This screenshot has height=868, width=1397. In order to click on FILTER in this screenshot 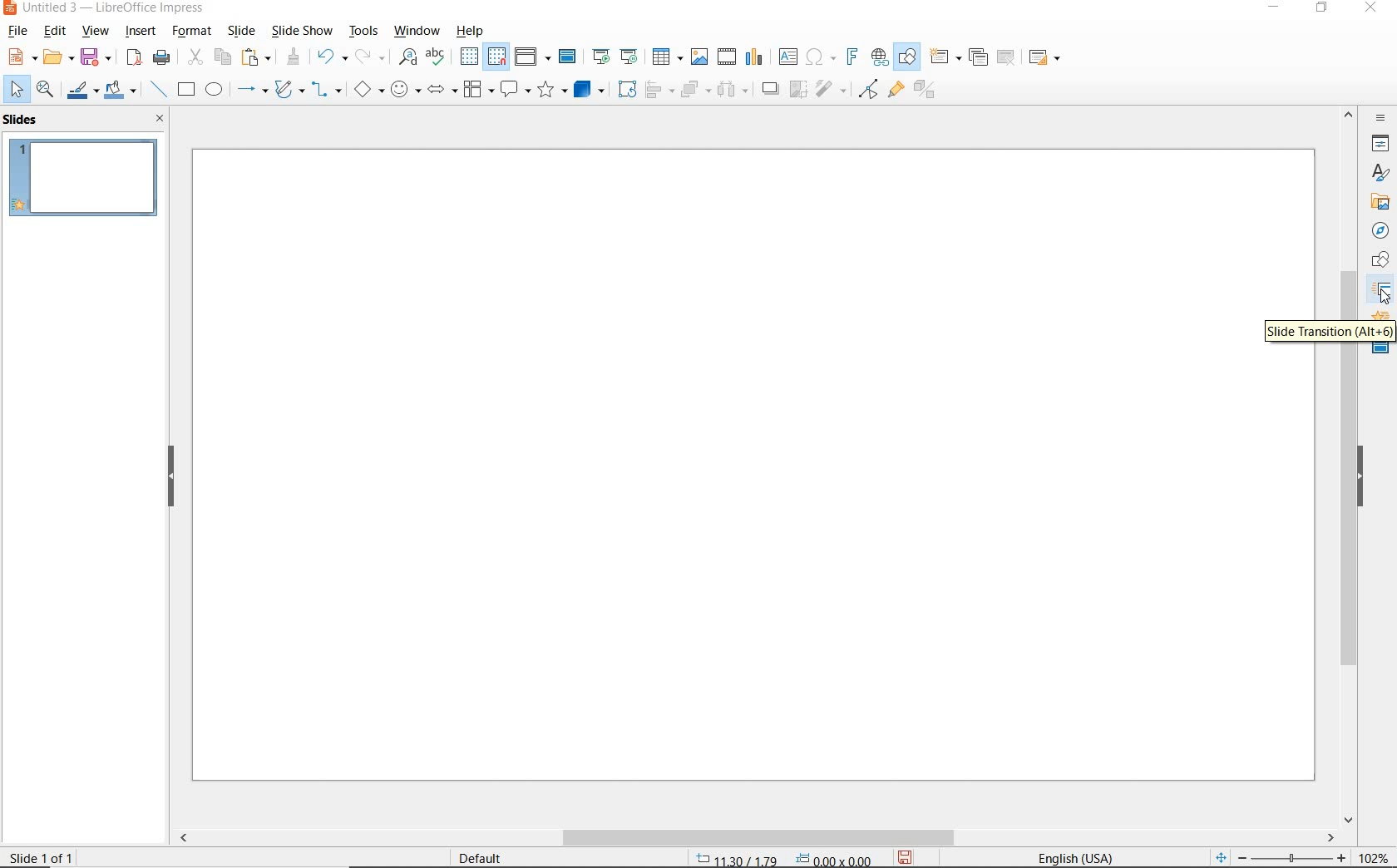, I will do `click(831, 91)`.